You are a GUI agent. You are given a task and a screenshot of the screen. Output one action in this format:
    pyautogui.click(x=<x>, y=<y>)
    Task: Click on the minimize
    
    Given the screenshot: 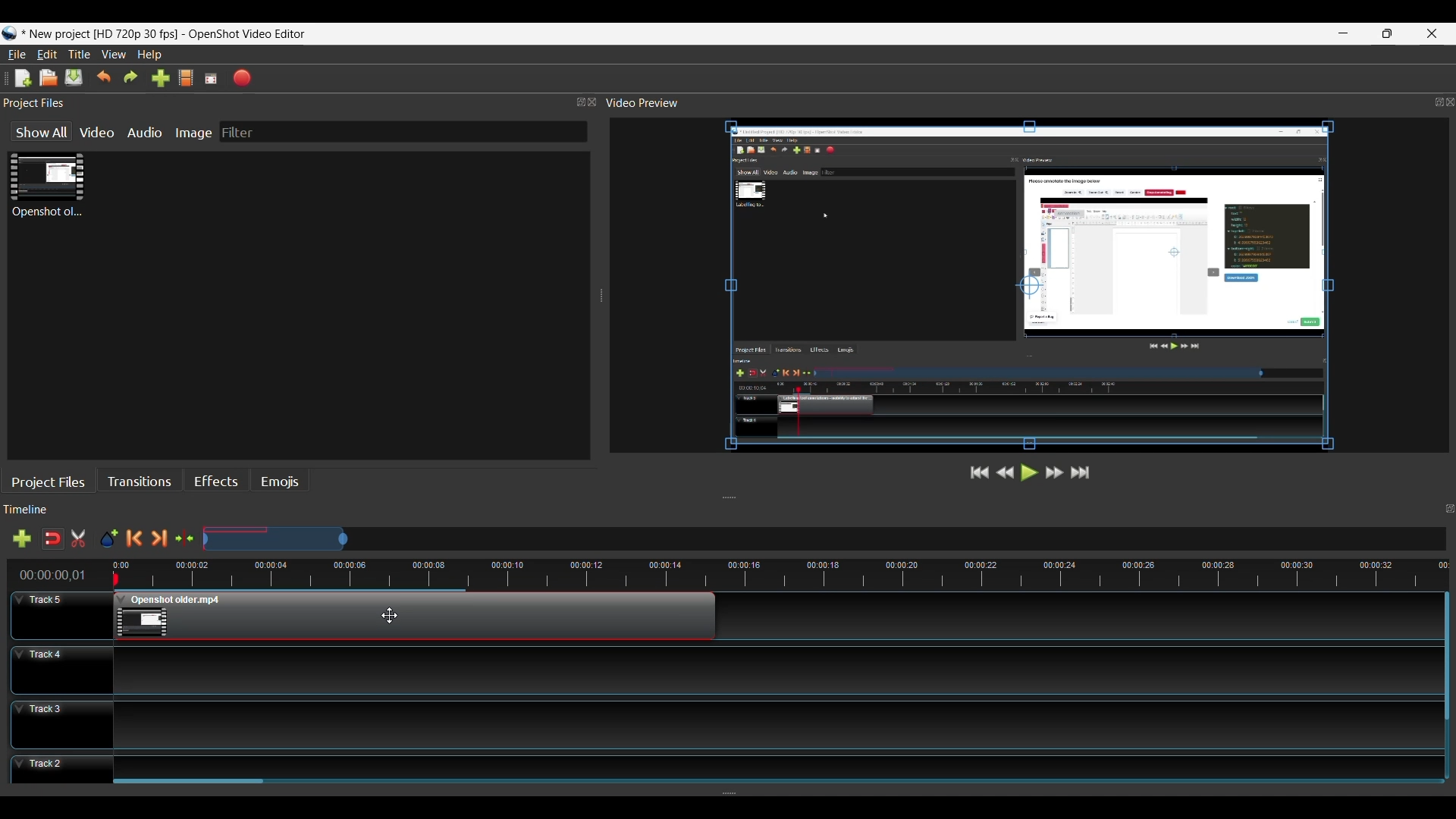 What is the action you would take?
    pyautogui.click(x=1345, y=33)
    